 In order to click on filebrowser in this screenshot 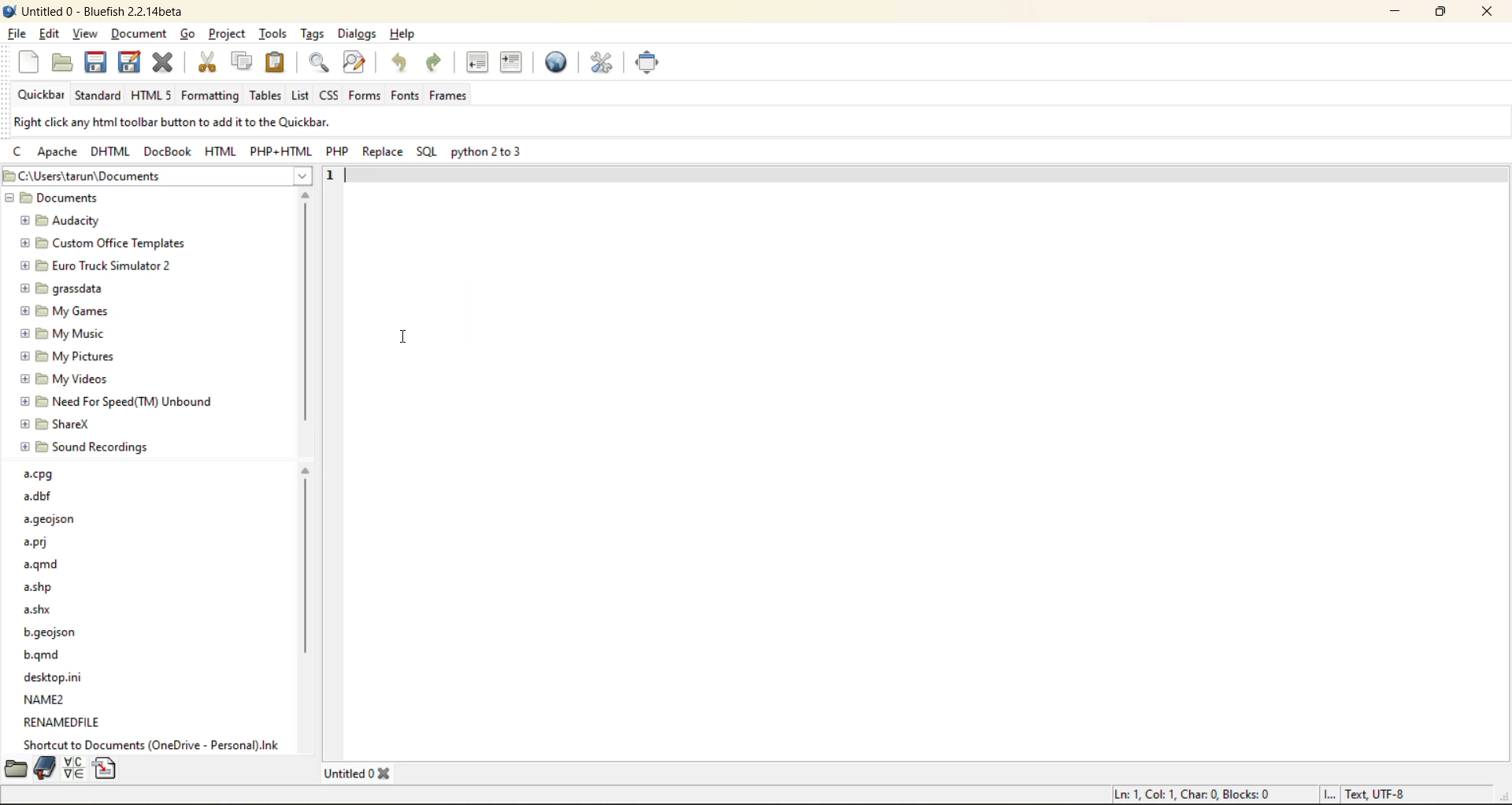, I will do `click(14, 769)`.